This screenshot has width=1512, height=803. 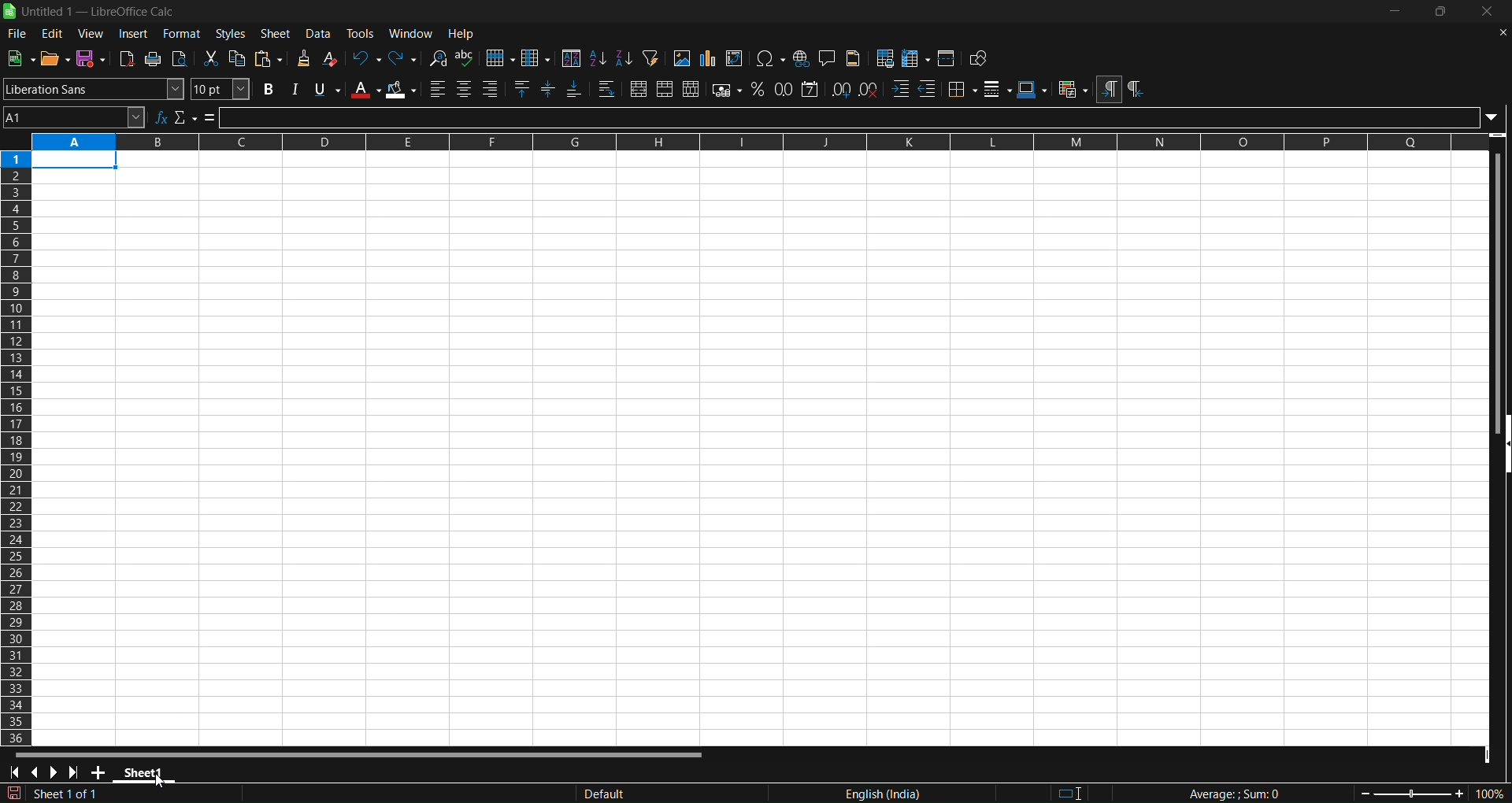 I want to click on freeze rows and columns, so click(x=916, y=58).